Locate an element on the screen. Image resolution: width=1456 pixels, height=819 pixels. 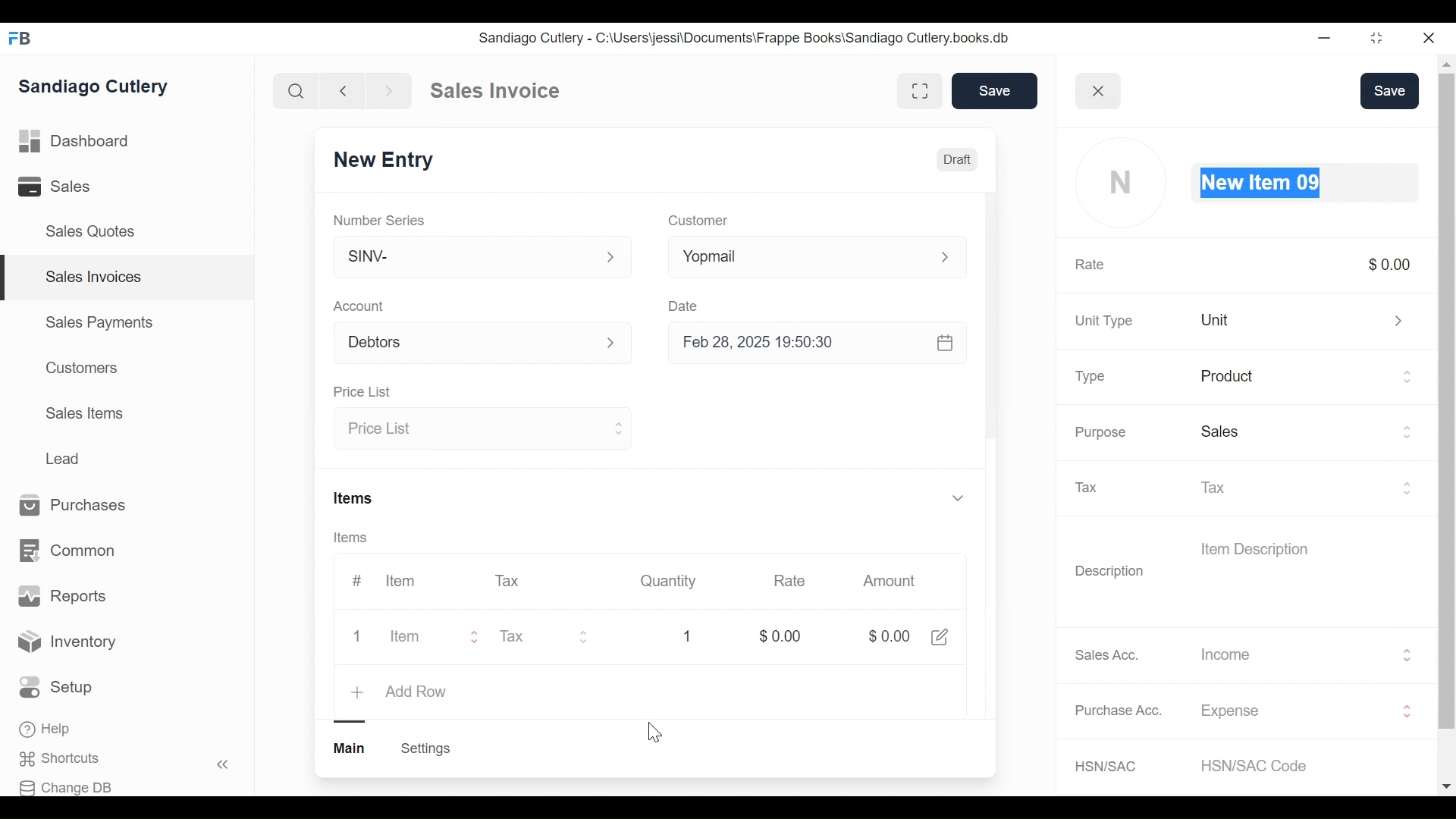
Account is located at coordinates (361, 306).